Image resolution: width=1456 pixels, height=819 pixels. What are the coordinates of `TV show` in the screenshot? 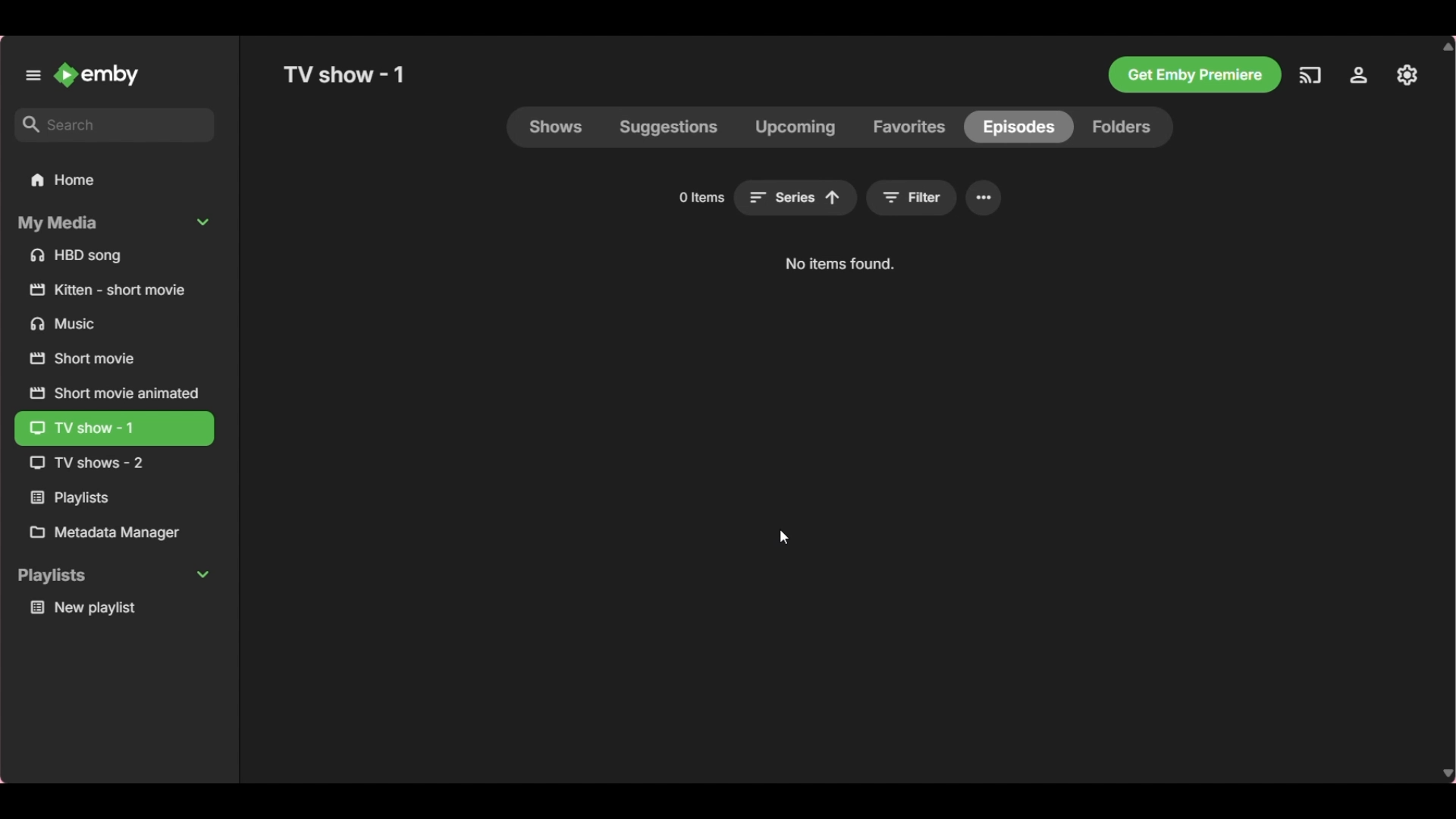 It's located at (111, 463).